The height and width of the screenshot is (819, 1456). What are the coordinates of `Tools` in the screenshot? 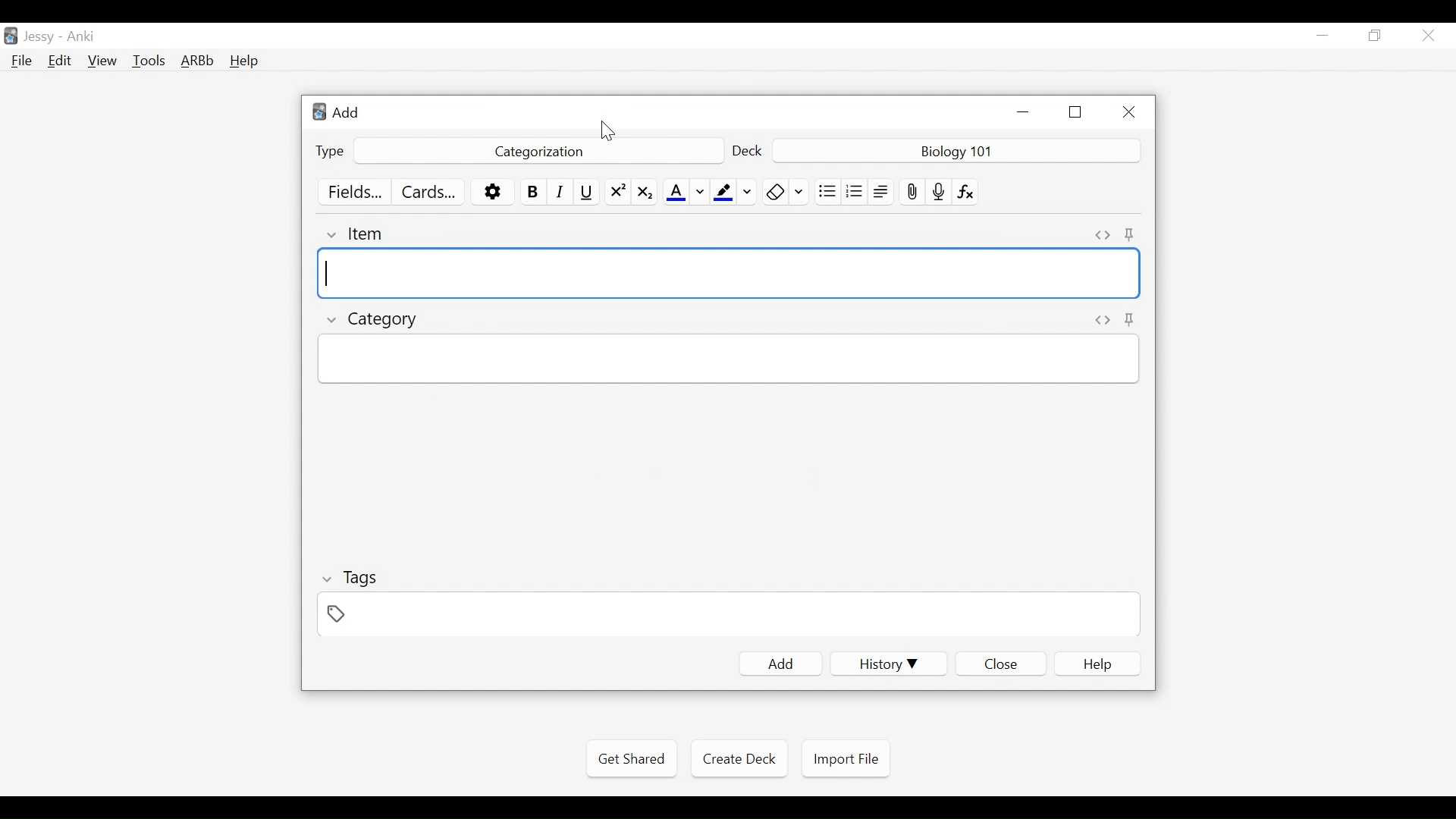 It's located at (149, 60).